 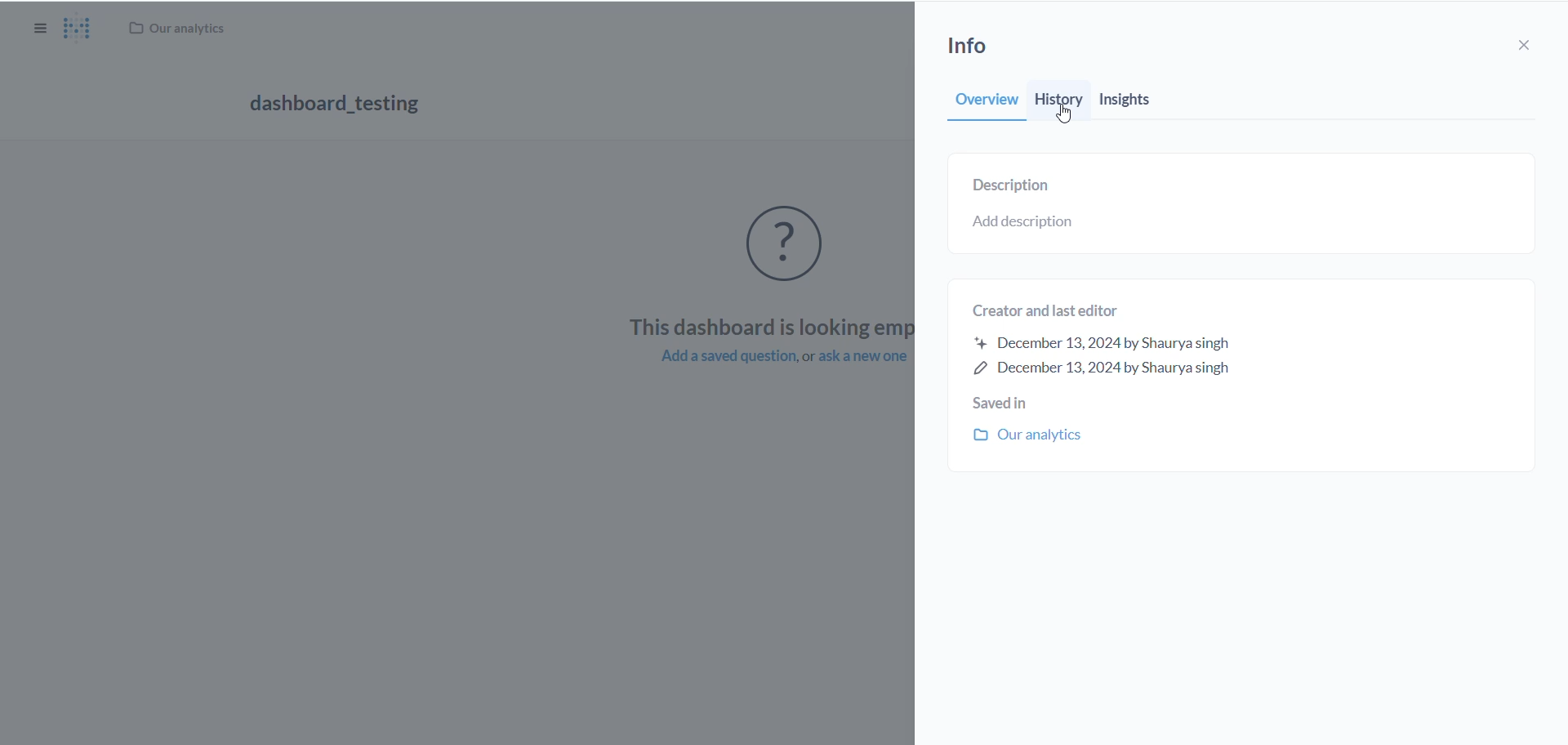 What do you see at coordinates (42, 31) in the screenshot?
I see `show/hide sidebar` at bounding box center [42, 31].